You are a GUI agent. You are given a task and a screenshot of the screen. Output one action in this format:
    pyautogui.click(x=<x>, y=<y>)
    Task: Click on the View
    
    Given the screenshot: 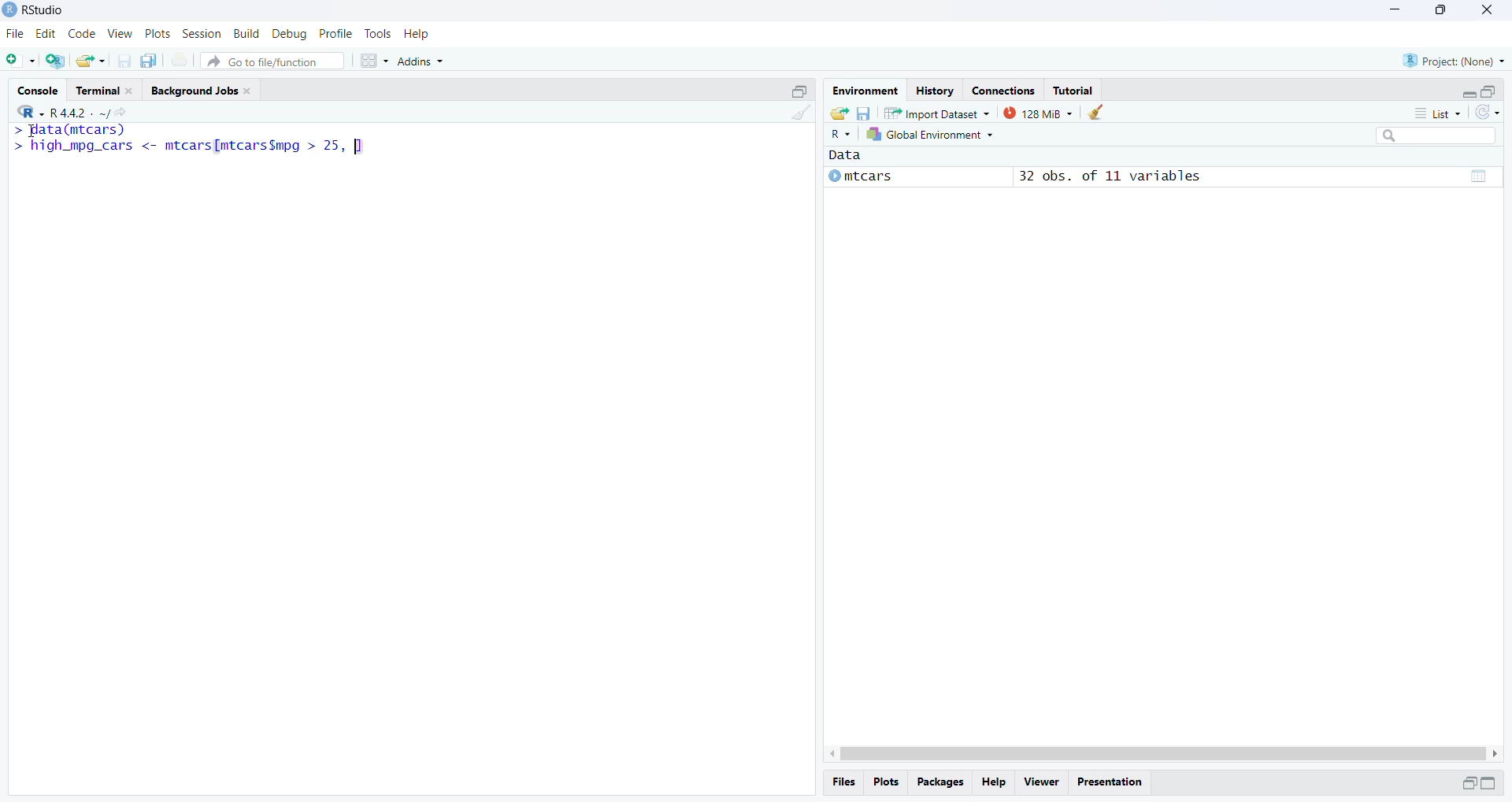 What is the action you would take?
    pyautogui.click(x=120, y=33)
    